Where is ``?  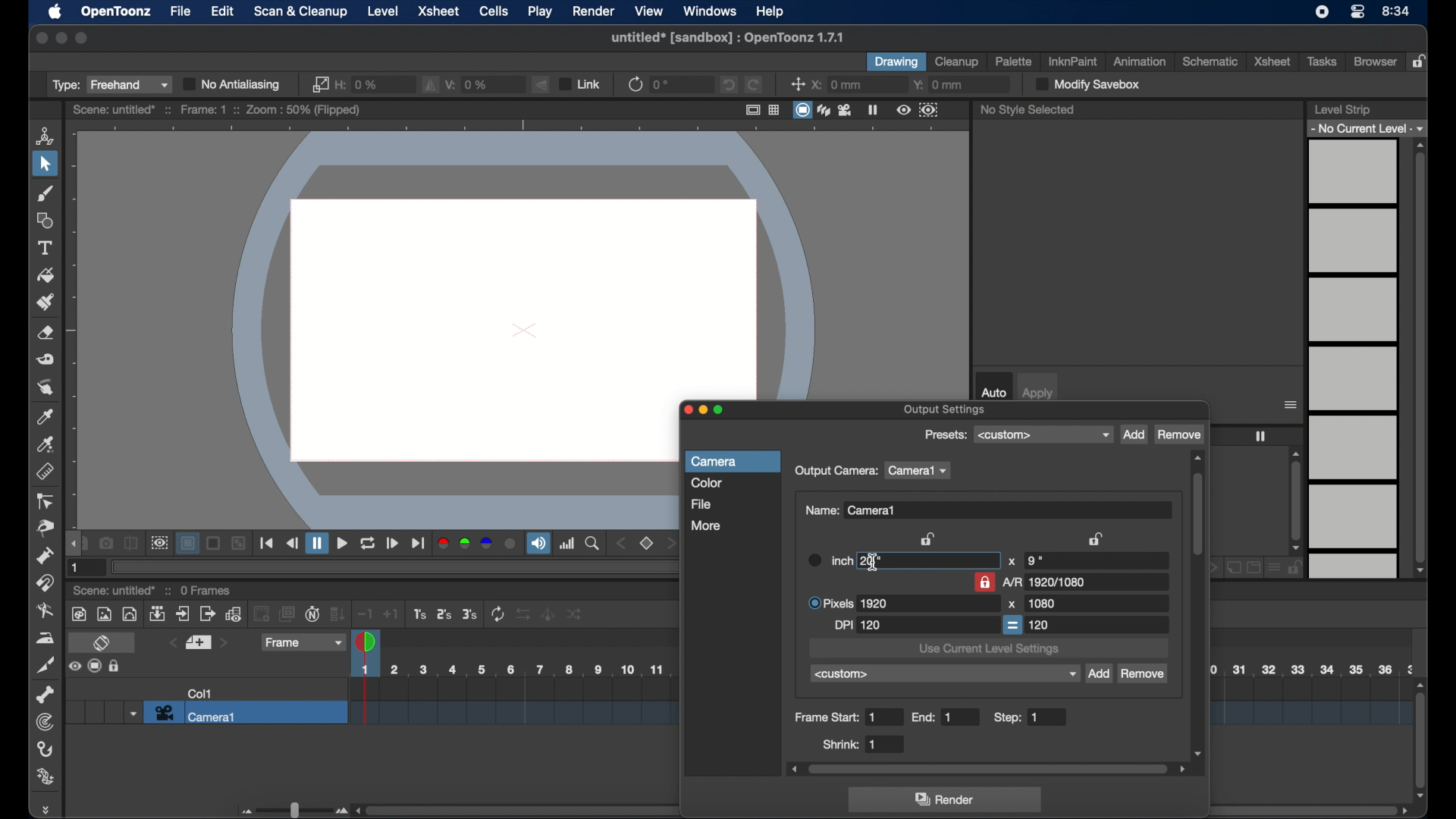
 is located at coordinates (75, 666).